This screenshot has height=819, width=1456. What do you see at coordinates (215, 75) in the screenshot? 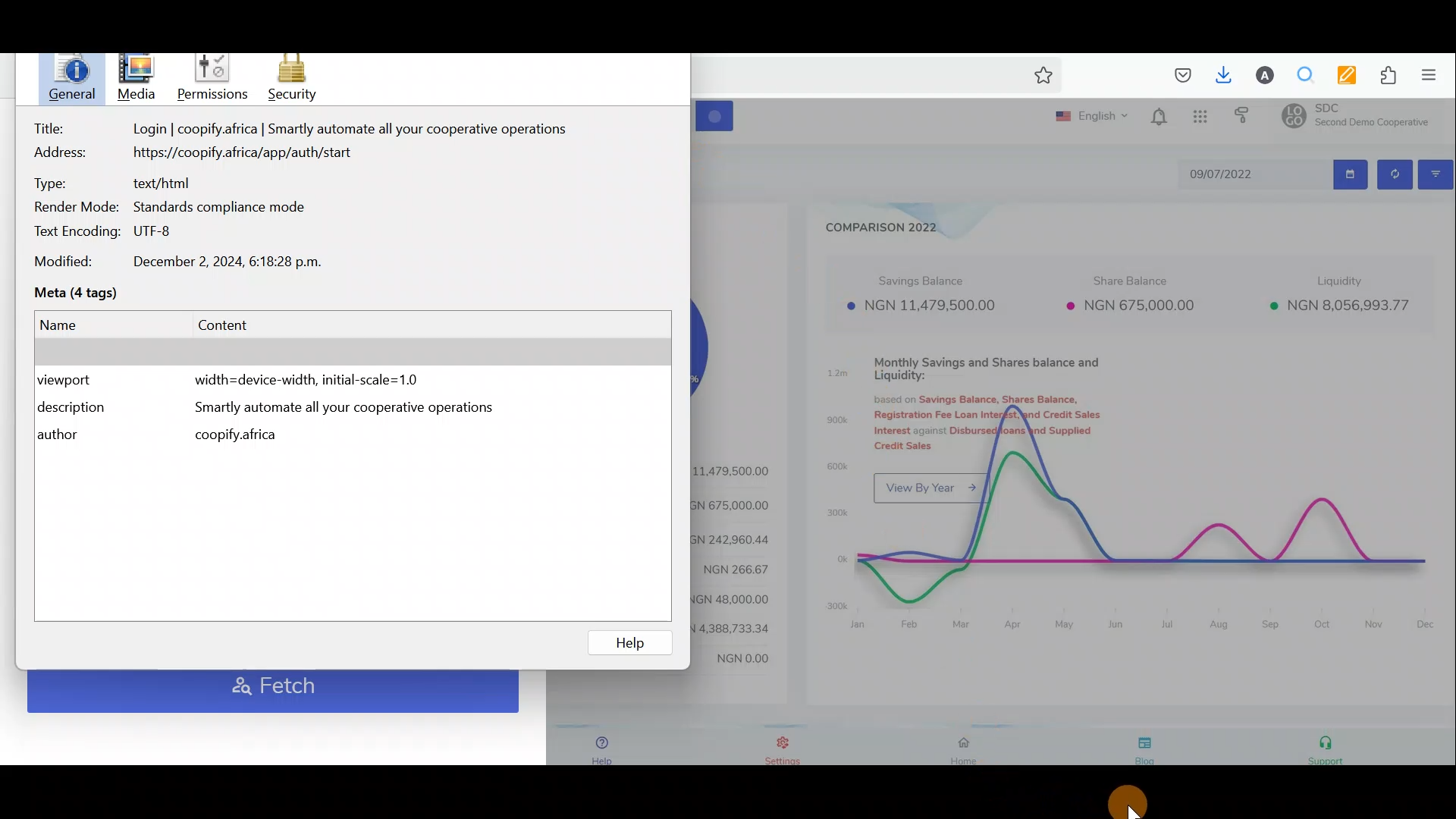
I see `Permissions` at bounding box center [215, 75].